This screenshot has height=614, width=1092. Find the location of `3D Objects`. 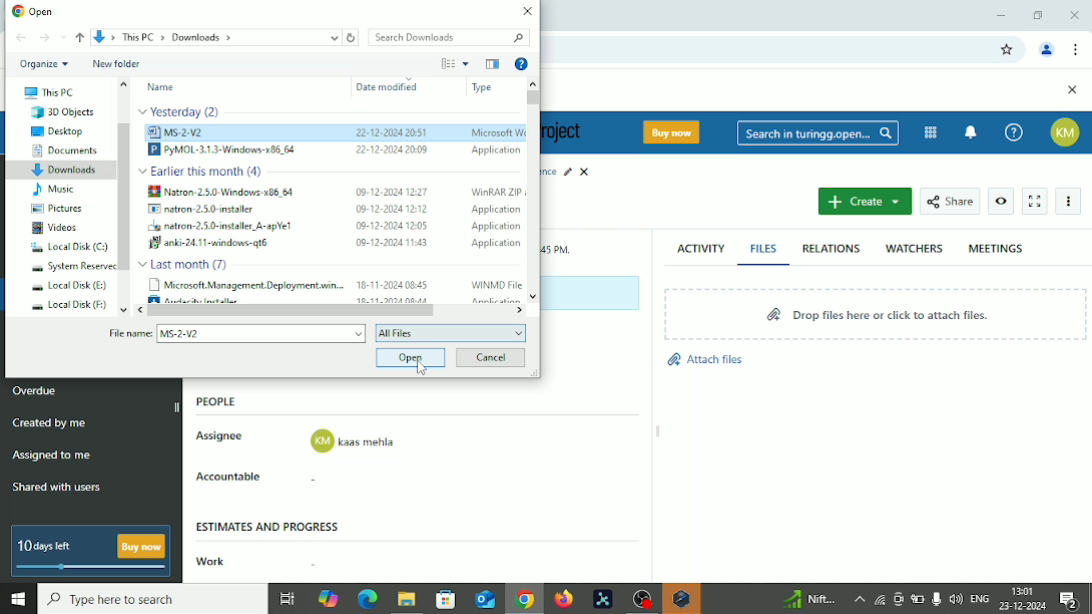

3D Objects is located at coordinates (65, 112).